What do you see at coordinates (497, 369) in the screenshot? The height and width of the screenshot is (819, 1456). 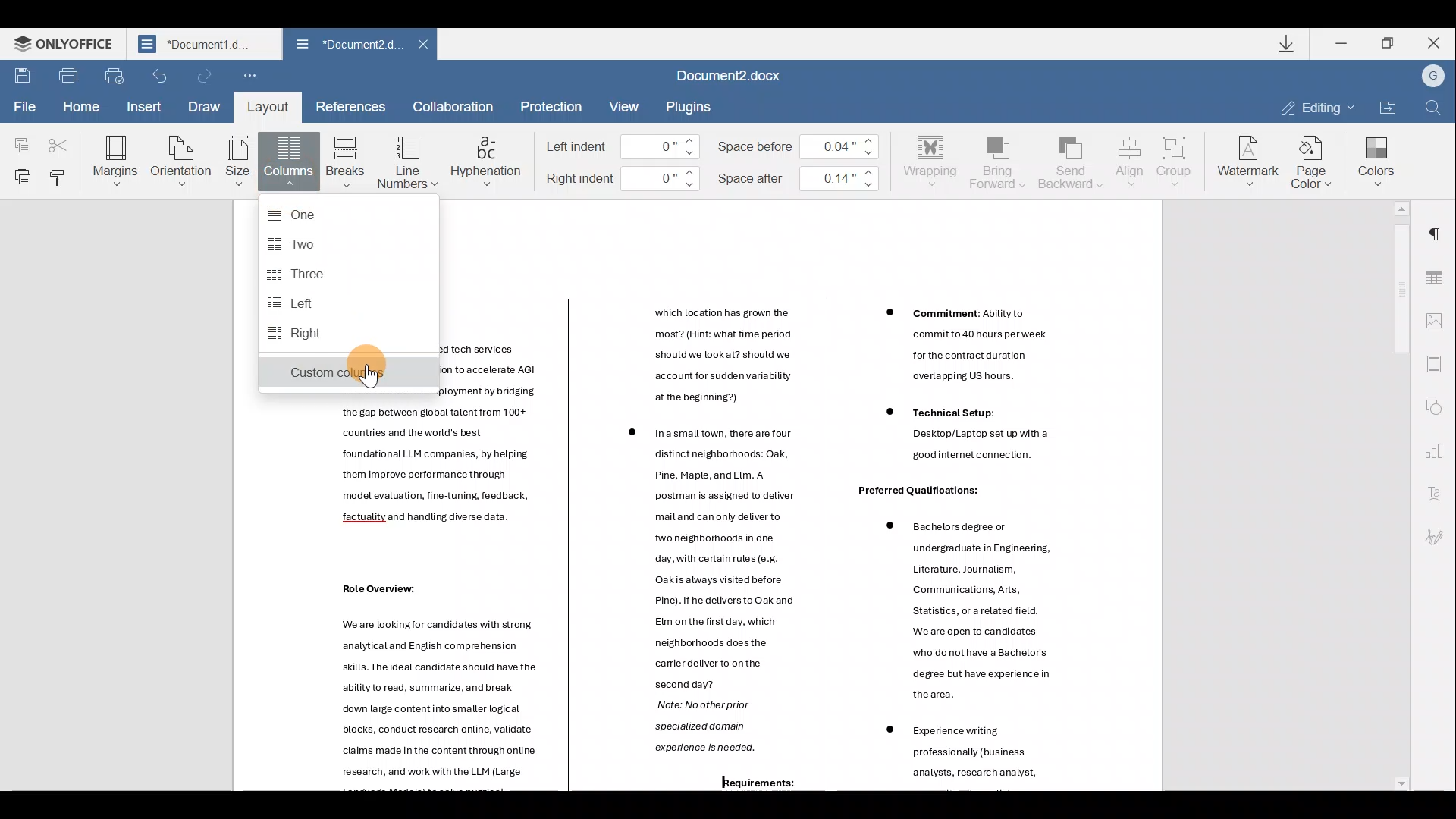 I see `` at bounding box center [497, 369].